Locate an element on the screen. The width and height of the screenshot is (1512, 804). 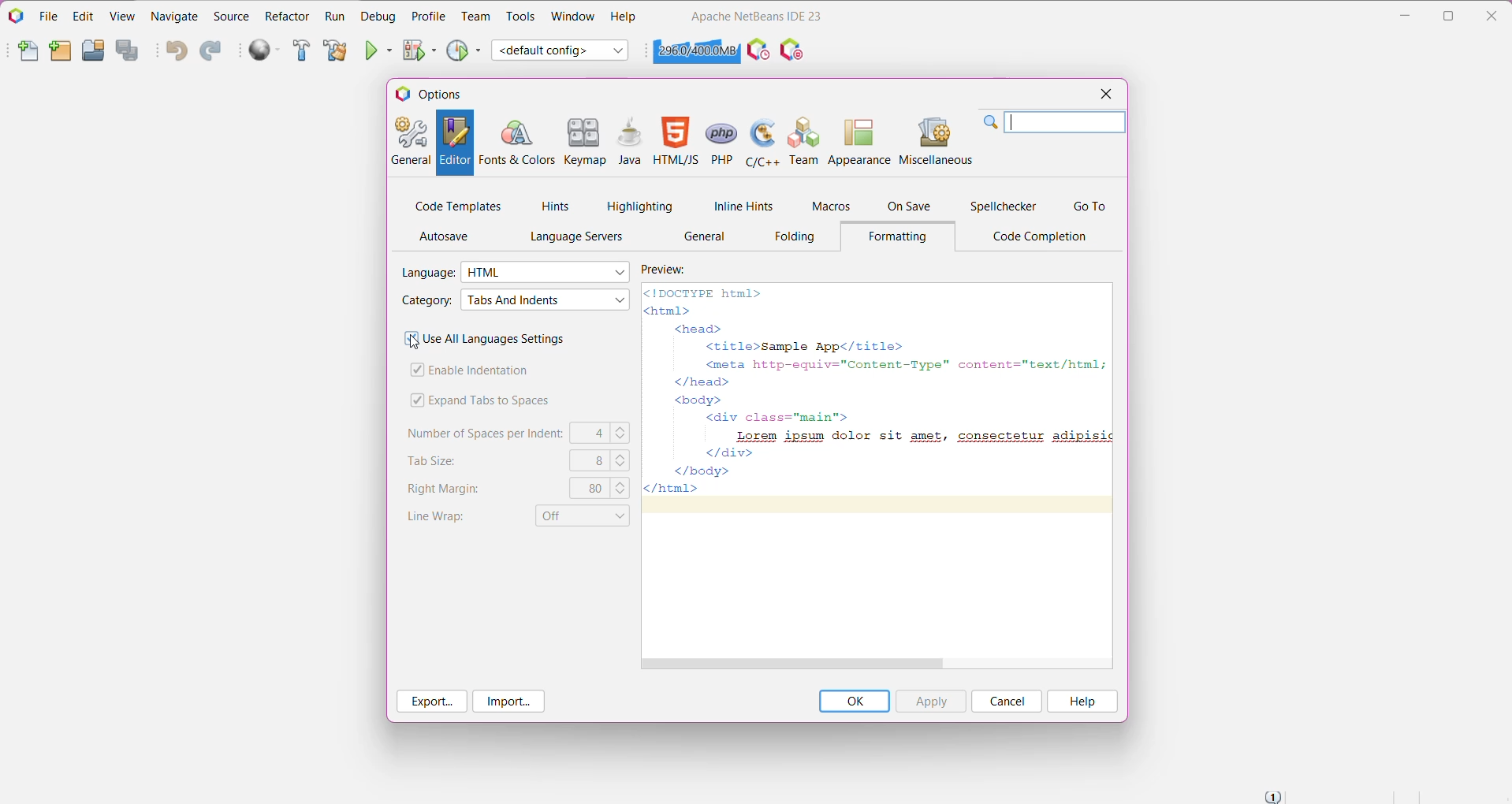
Expand Tabs to Spaces - click to enable is located at coordinates (486, 401).